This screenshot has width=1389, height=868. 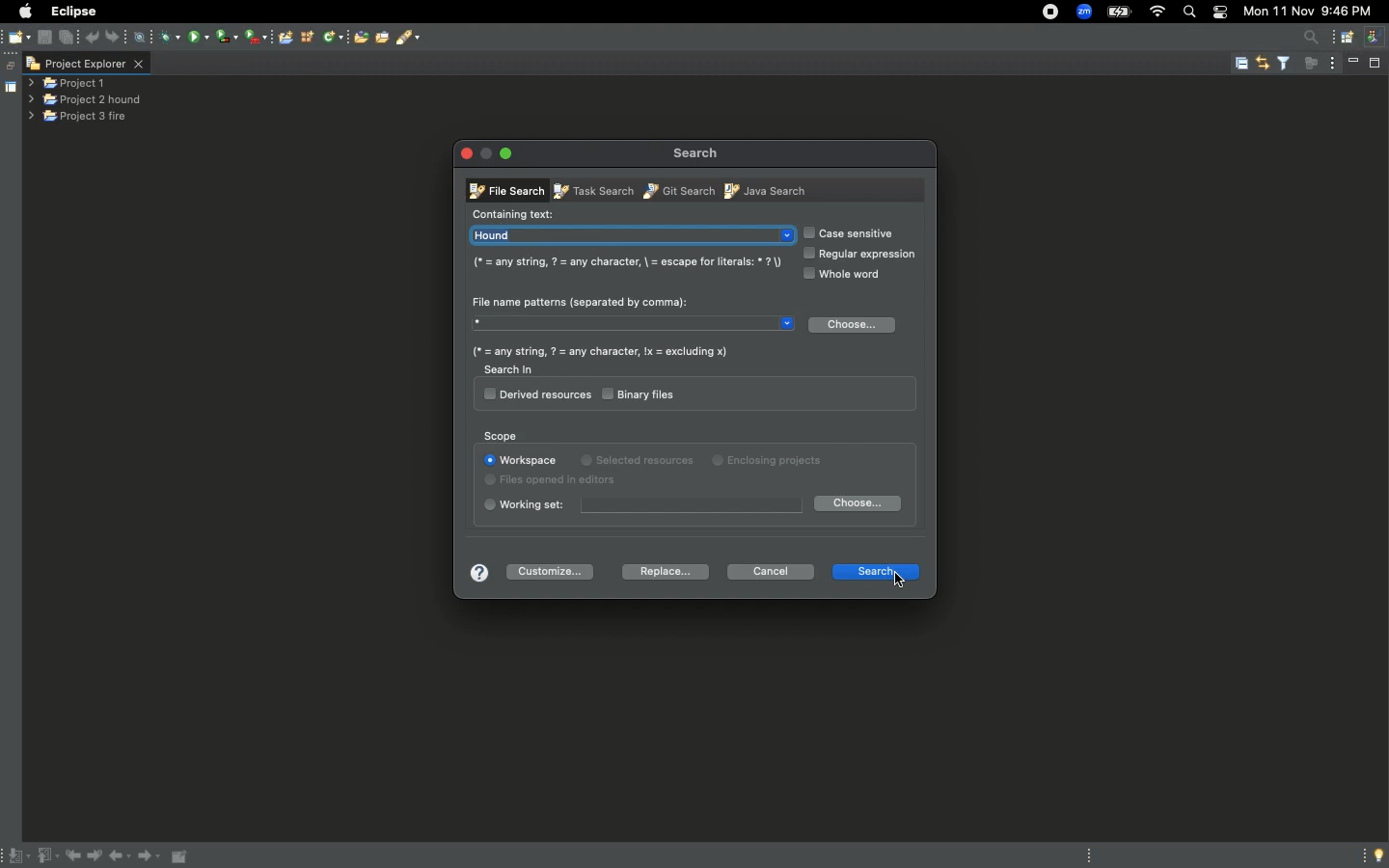 I want to click on Regular expression, so click(x=862, y=255).